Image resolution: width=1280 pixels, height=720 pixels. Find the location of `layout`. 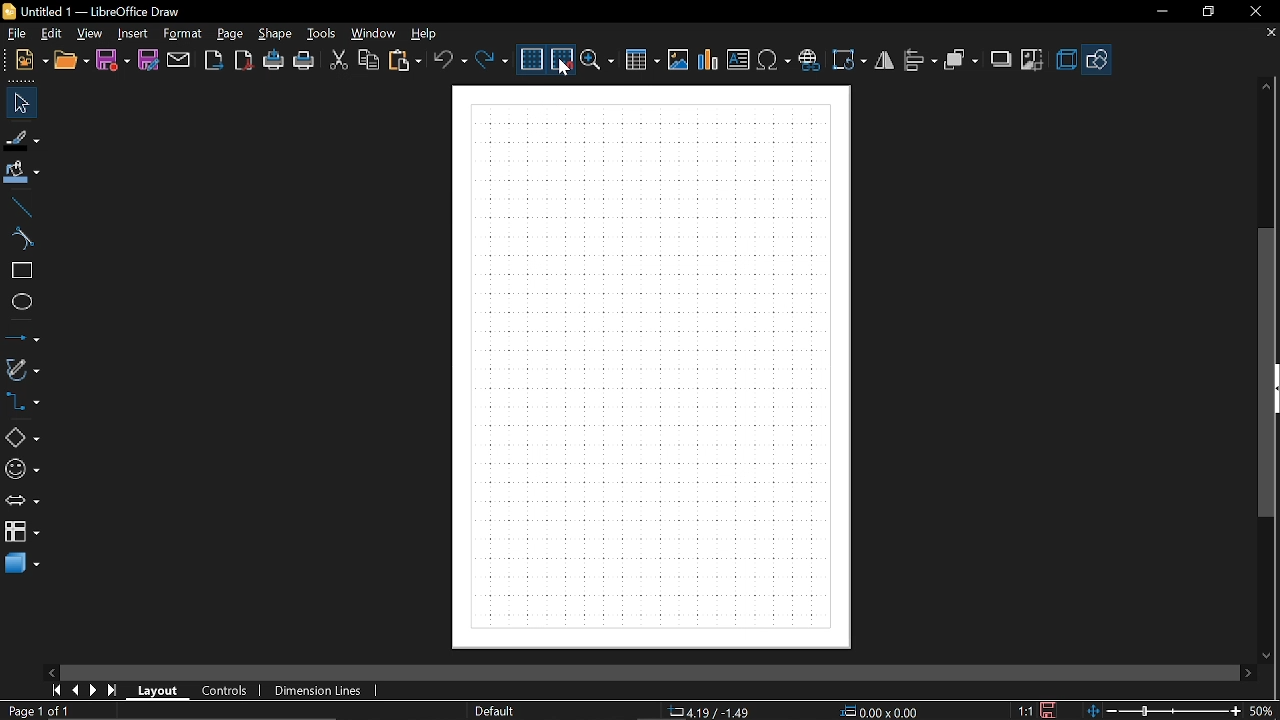

layout is located at coordinates (159, 692).